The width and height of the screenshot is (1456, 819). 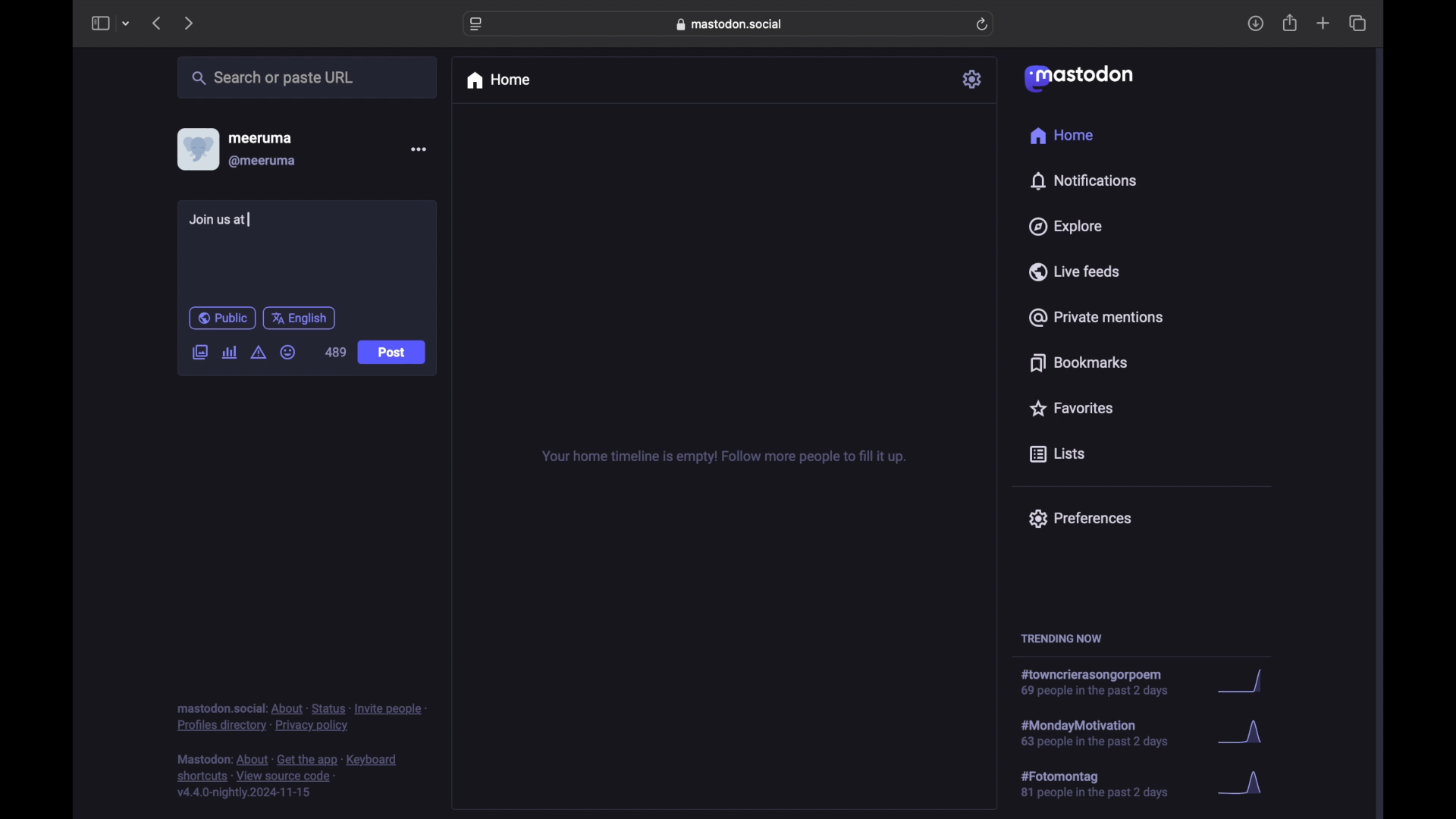 What do you see at coordinates (300, 318) in the screenshot?
I see `english` at bounding box center [300, 318].